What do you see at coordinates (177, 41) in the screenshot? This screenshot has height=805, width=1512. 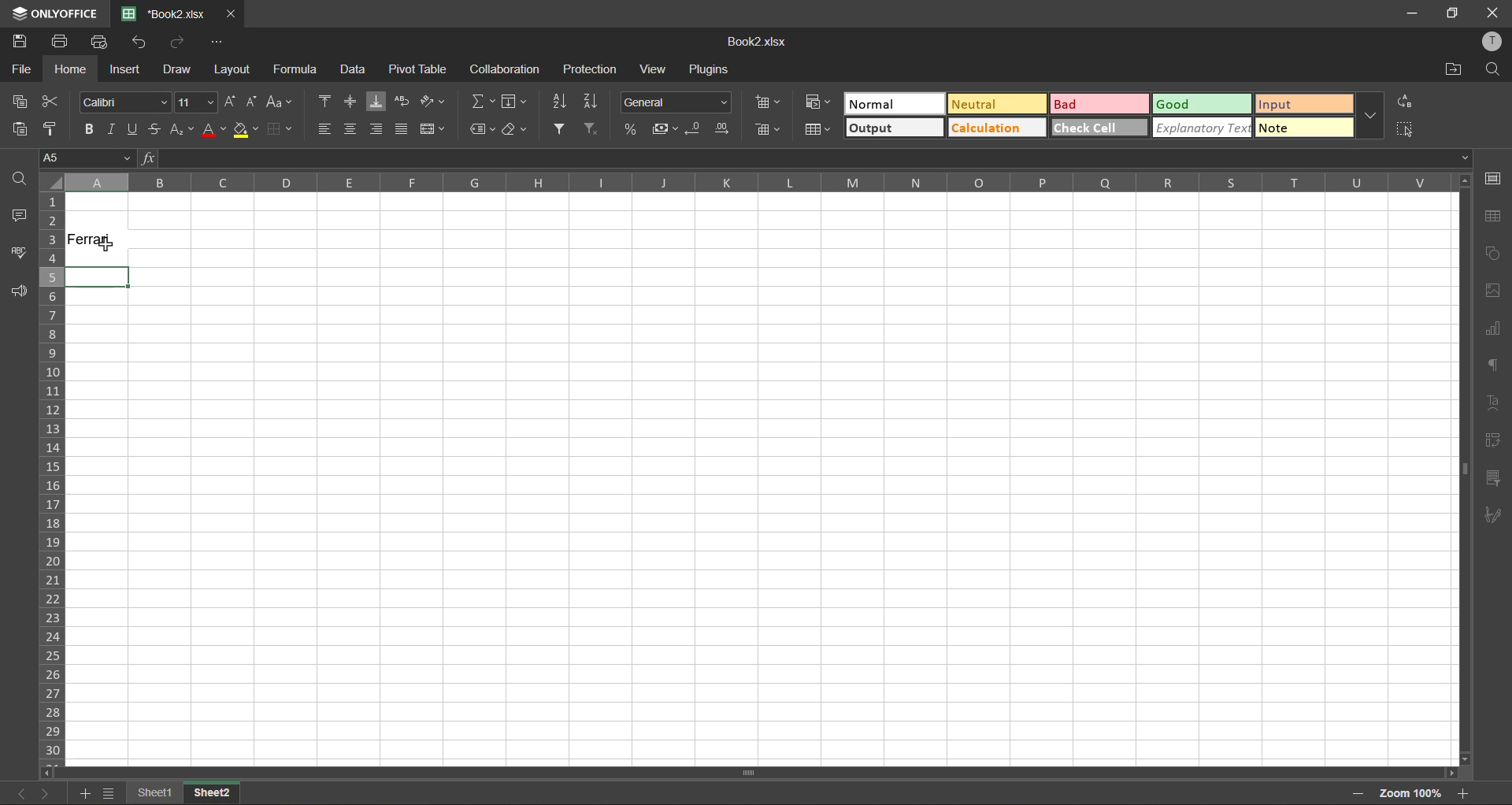 I see `redo` at bounding box center [177, 41].